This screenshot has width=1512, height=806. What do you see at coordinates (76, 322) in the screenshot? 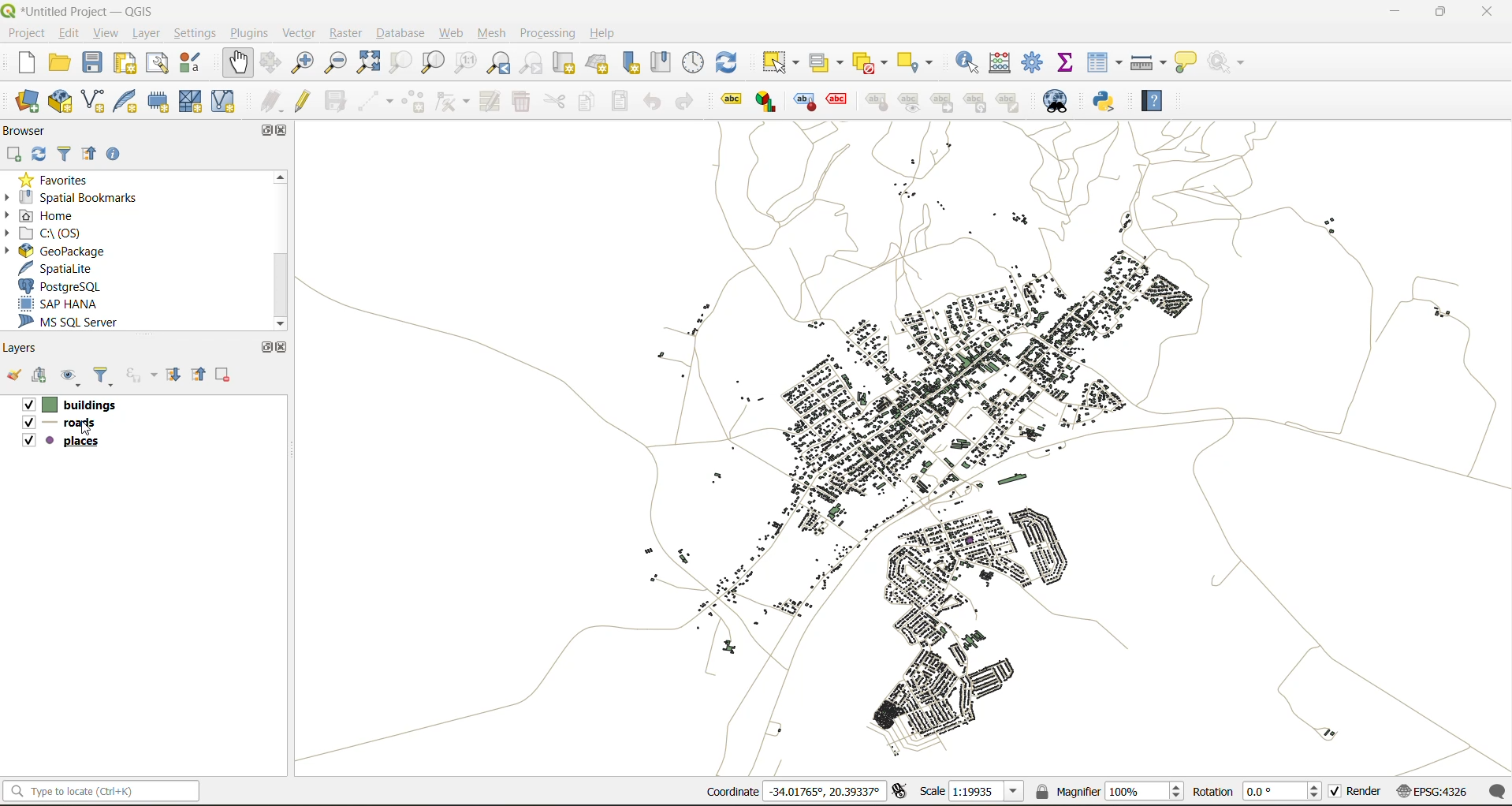
I see `ms sql server` at bounding box center [76, 322].